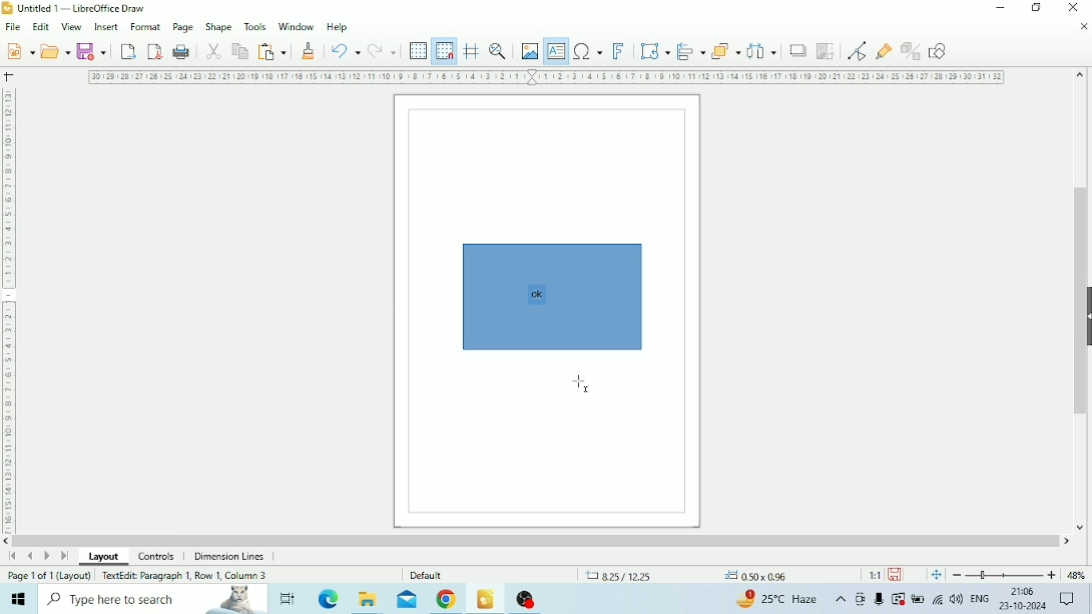  What do you see at coordinates (182, 52) in the screenshot?
I see `Print` at bounding box center [182, 52].